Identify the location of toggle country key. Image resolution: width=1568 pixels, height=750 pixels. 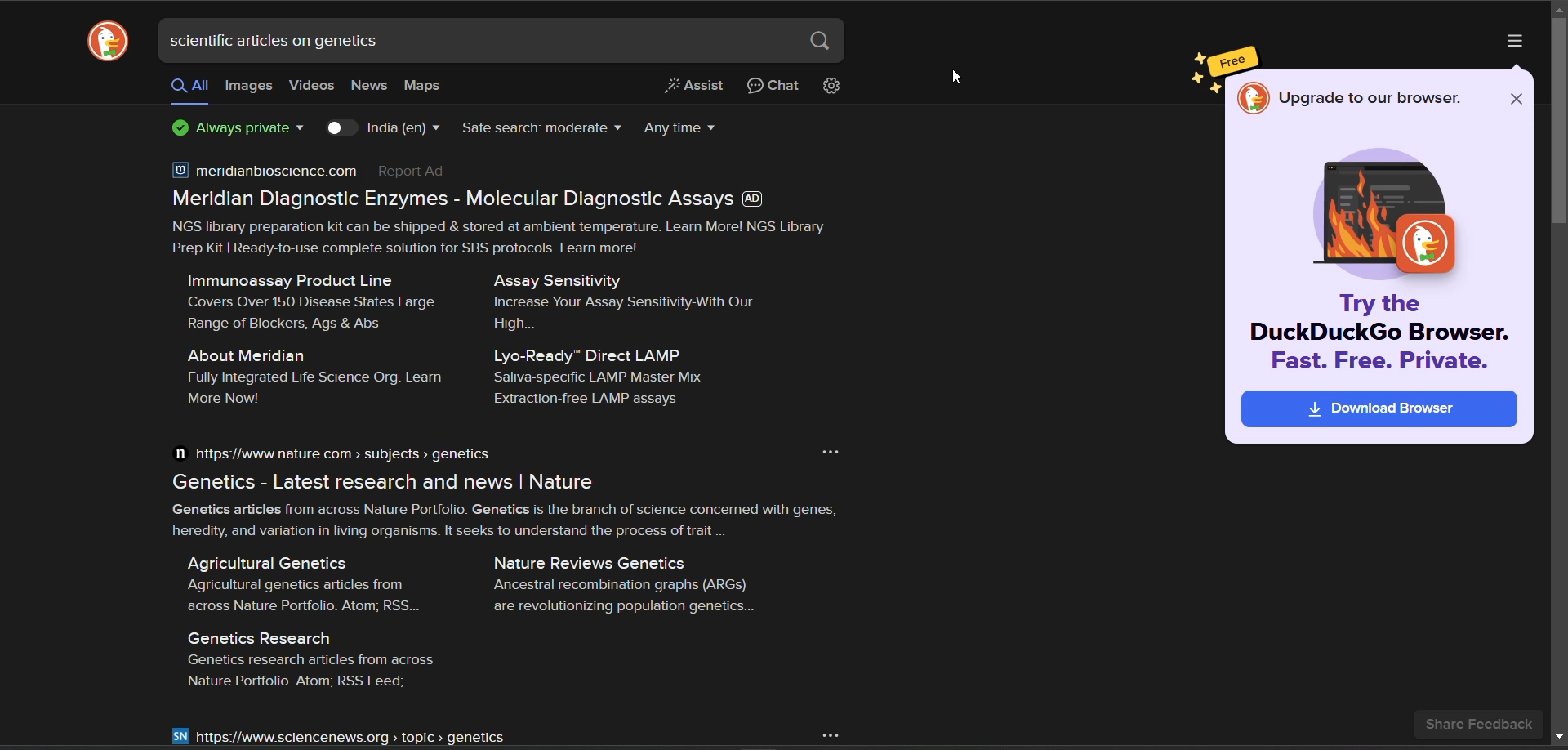
(344, 129).